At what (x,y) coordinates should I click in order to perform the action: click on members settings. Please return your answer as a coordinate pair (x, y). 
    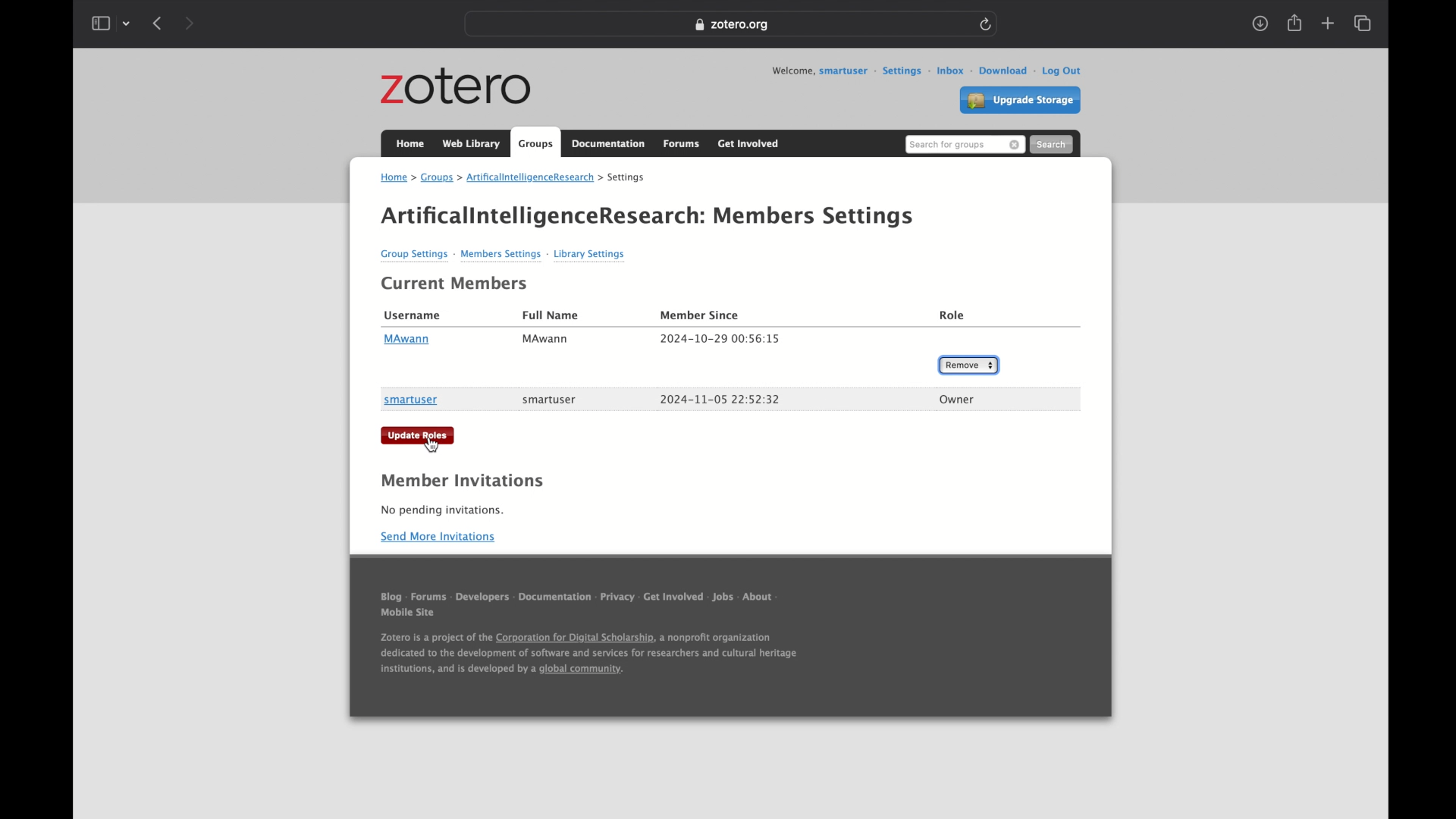
    Looking at the image, I should click on (815, 217).